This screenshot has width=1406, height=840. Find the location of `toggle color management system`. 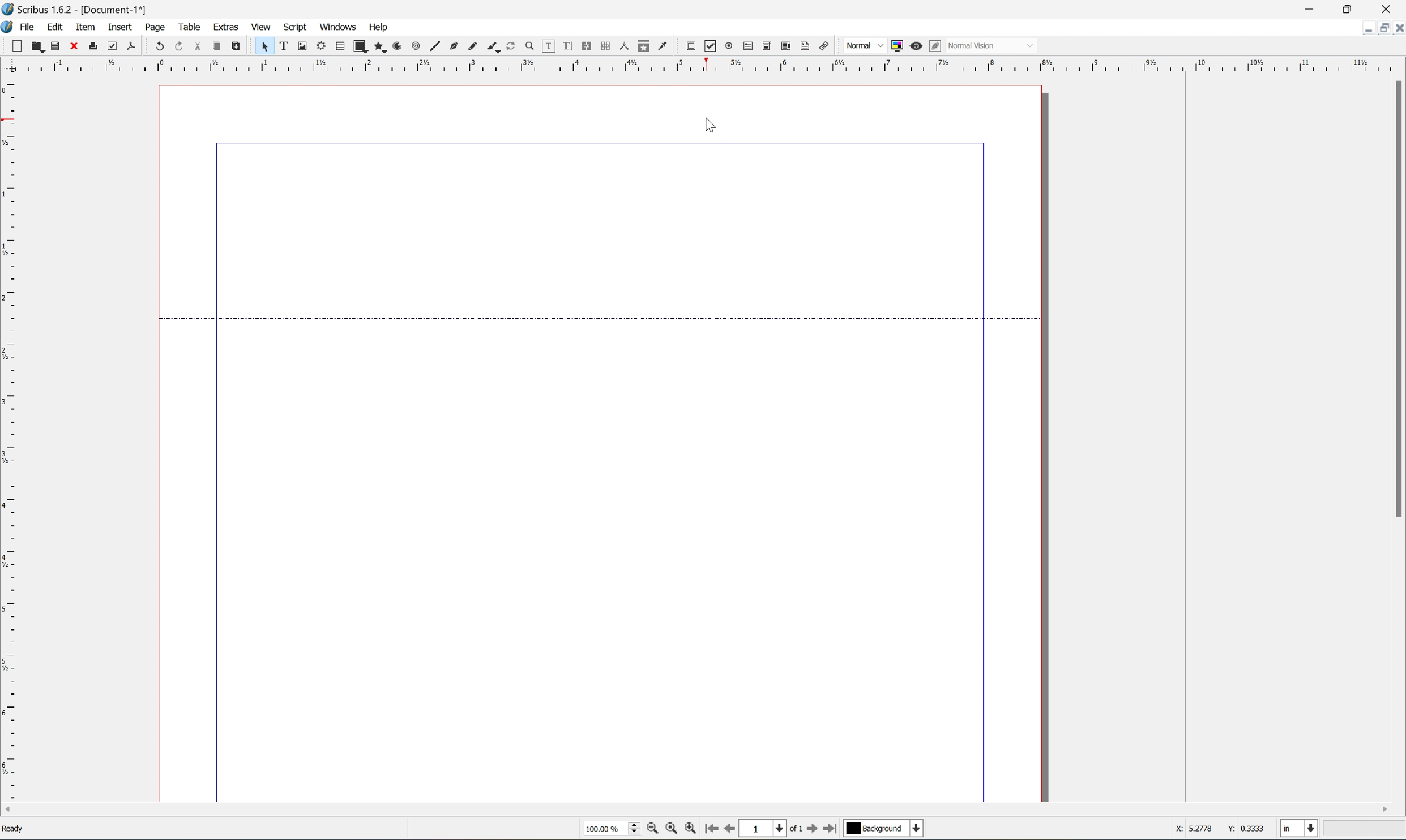

toggle color management system is located at coordinates (897, 45).